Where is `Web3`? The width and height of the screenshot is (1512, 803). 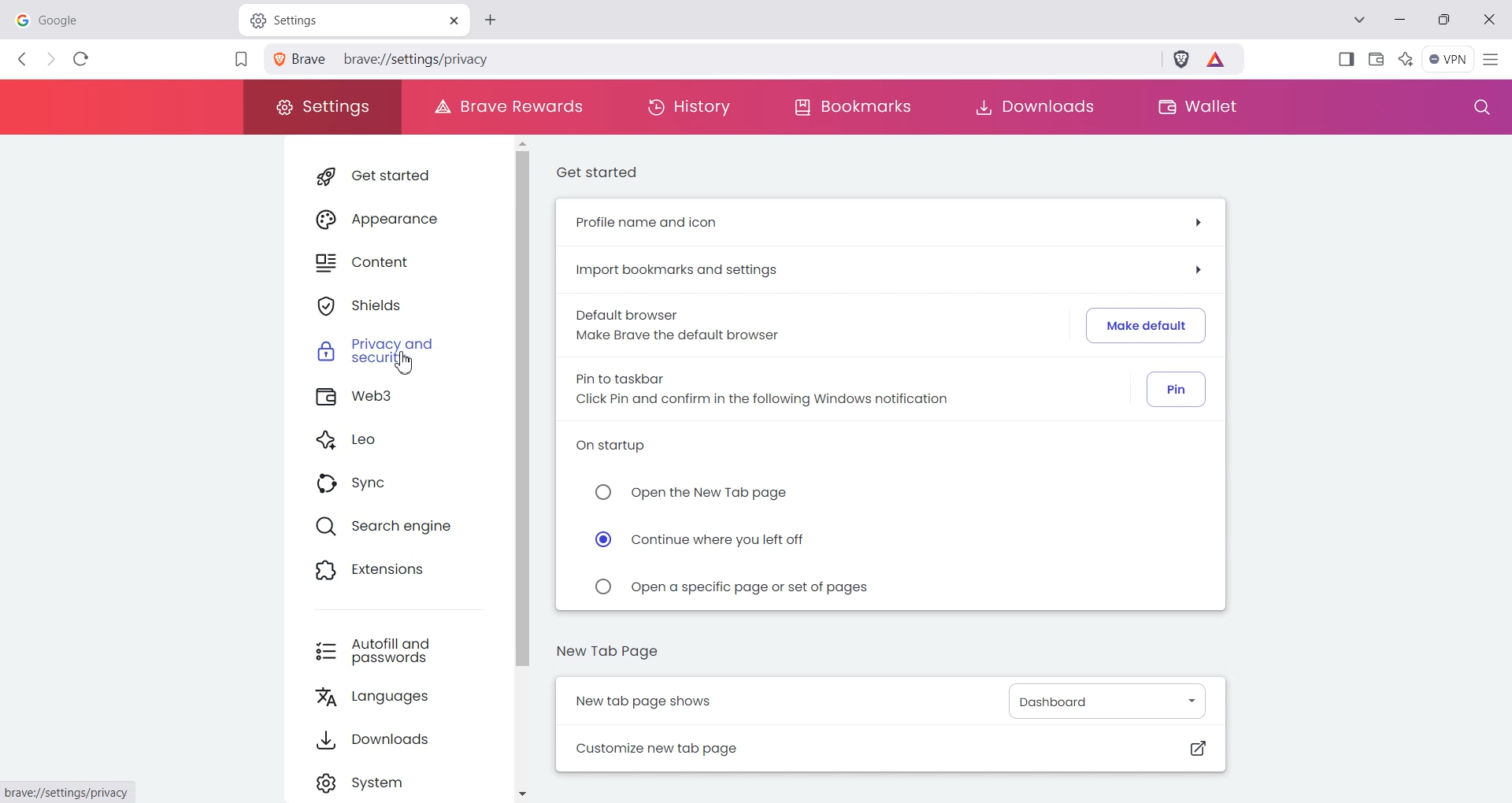 Web3 is located at coordinates (391, 398).